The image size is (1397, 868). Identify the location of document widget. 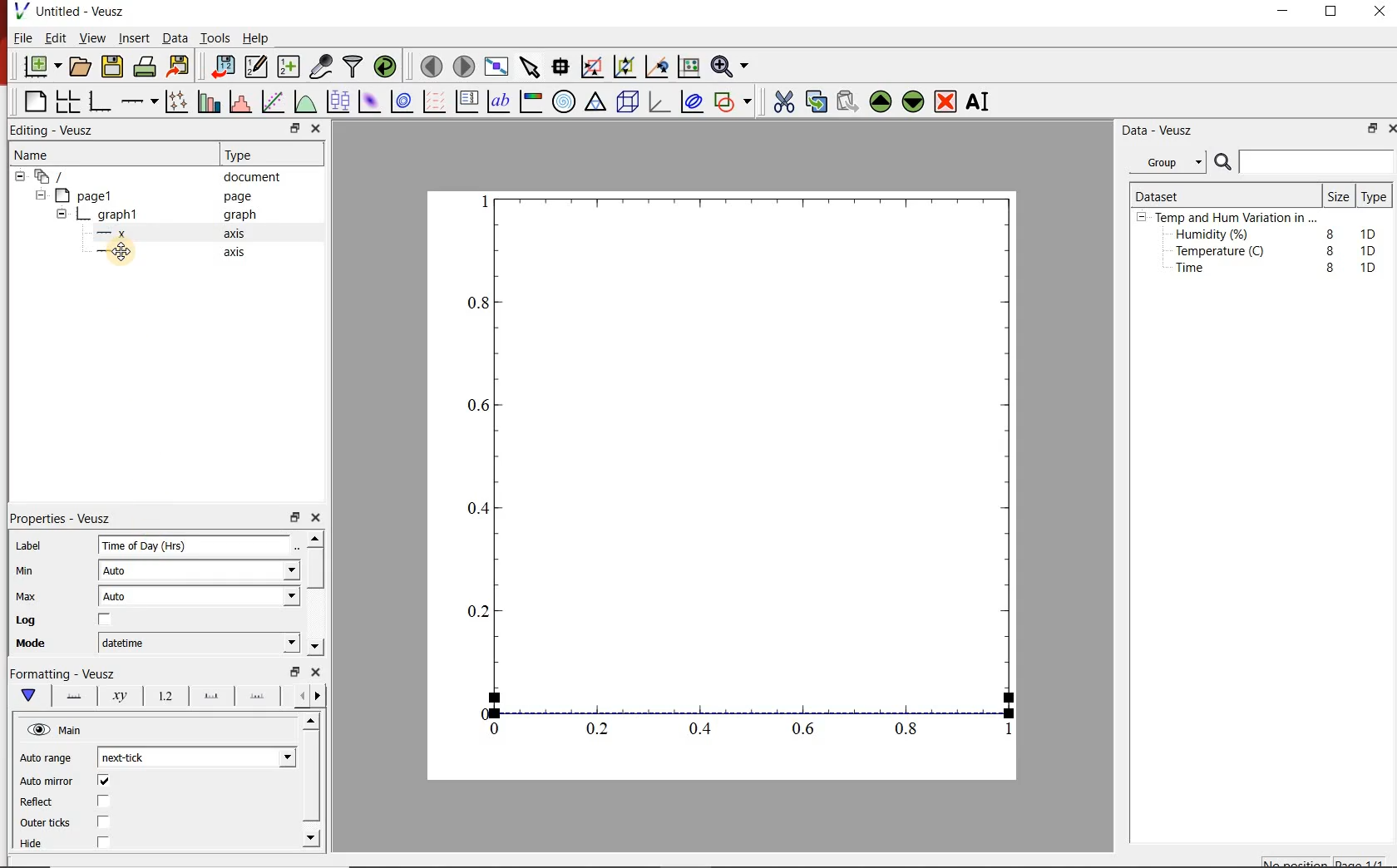
(59, 177).